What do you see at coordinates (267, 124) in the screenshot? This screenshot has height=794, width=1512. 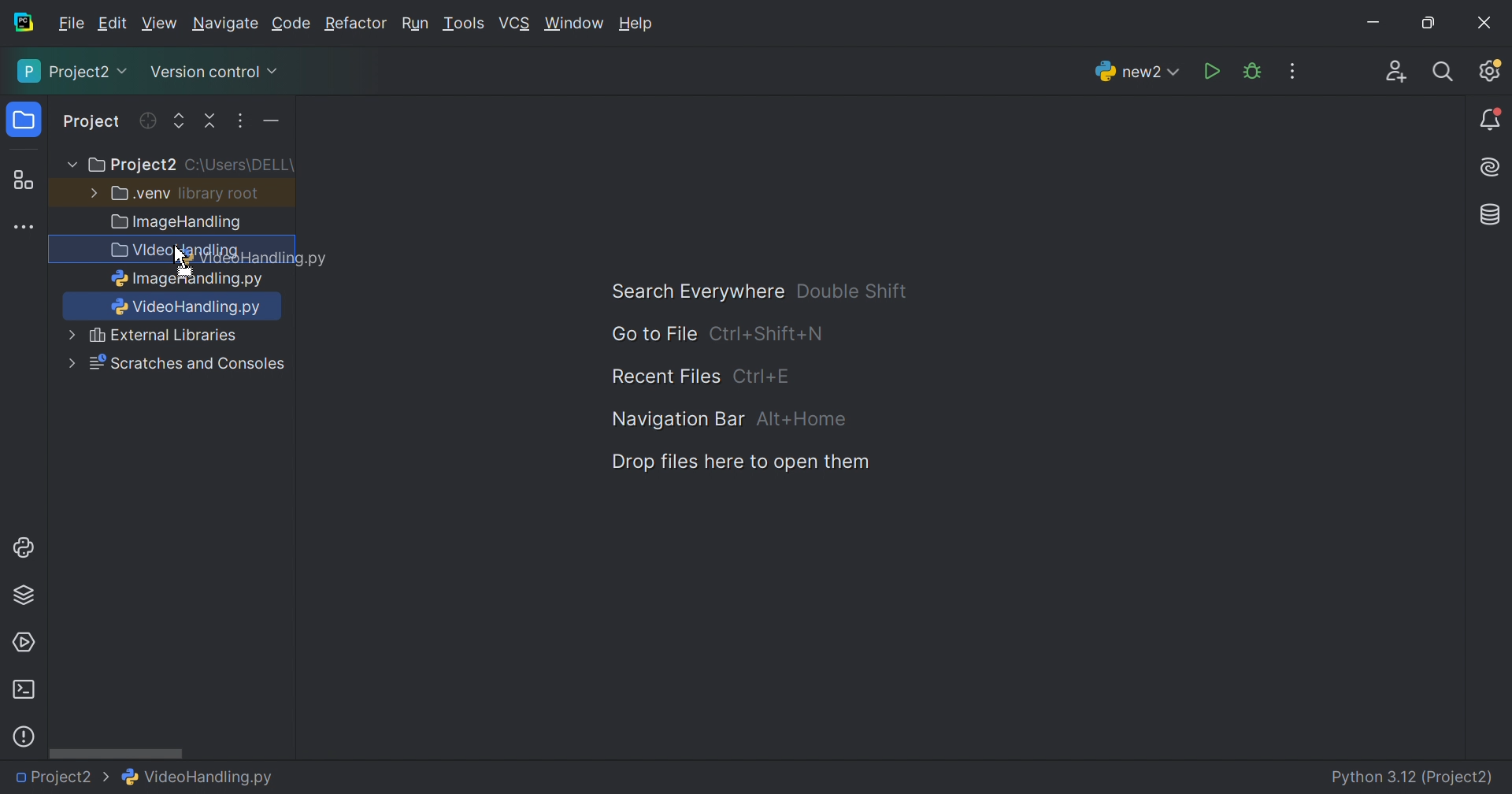 I see `More actions` at bounding box center [267, 124].